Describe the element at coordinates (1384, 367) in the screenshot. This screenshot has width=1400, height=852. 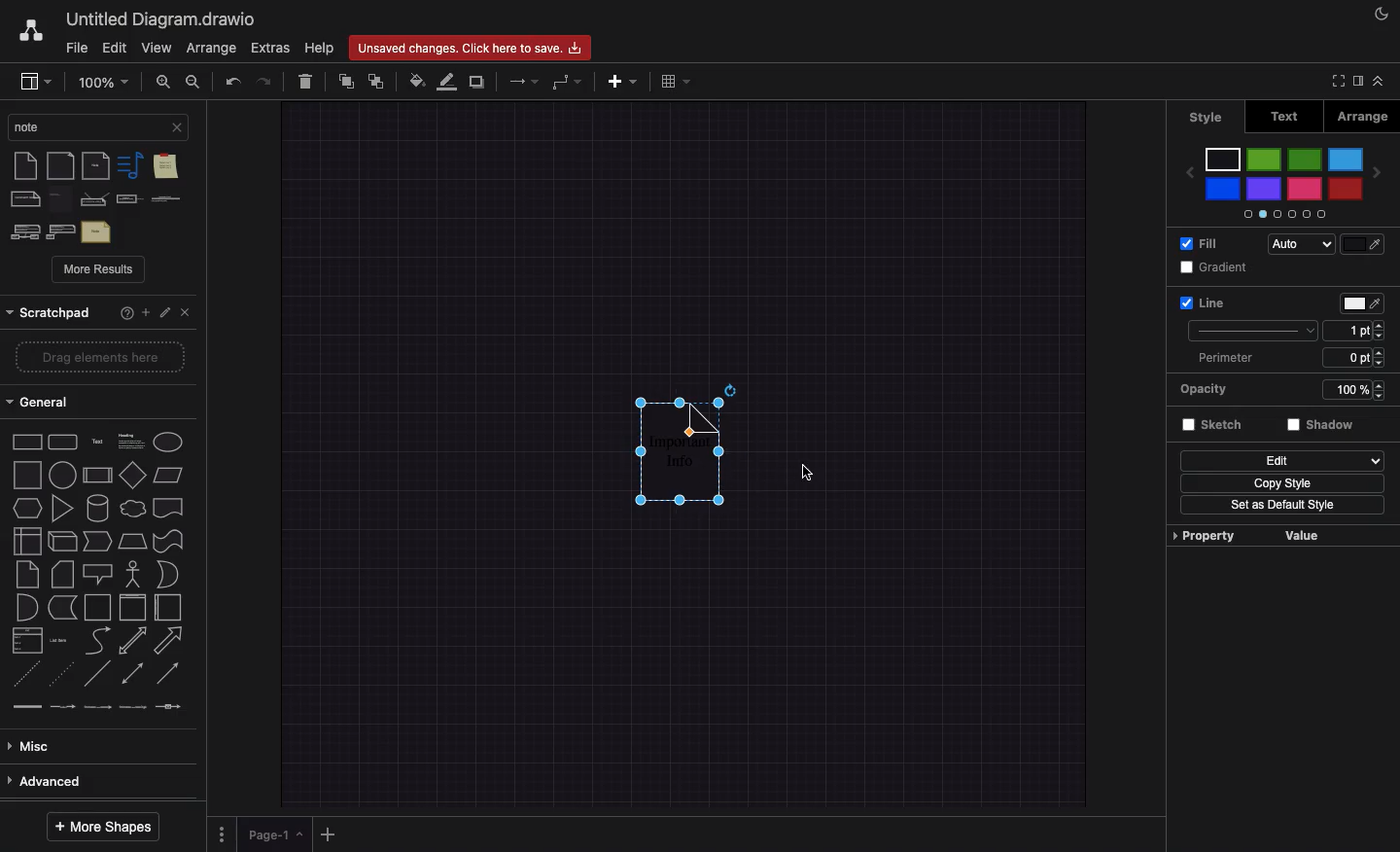
I see `decrease perimeter` at that location.